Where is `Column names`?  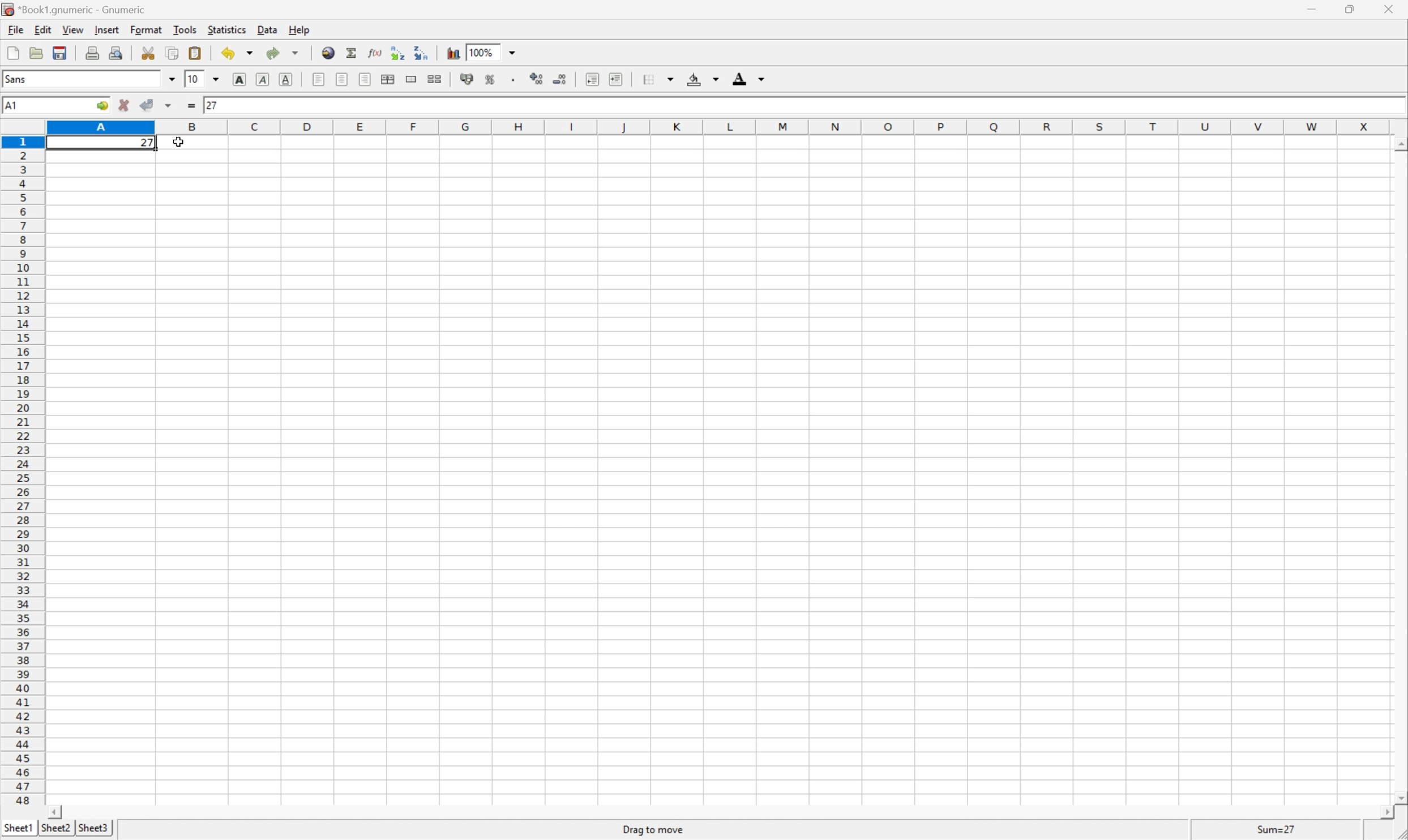
Column names is located at coordinates (721, 124).